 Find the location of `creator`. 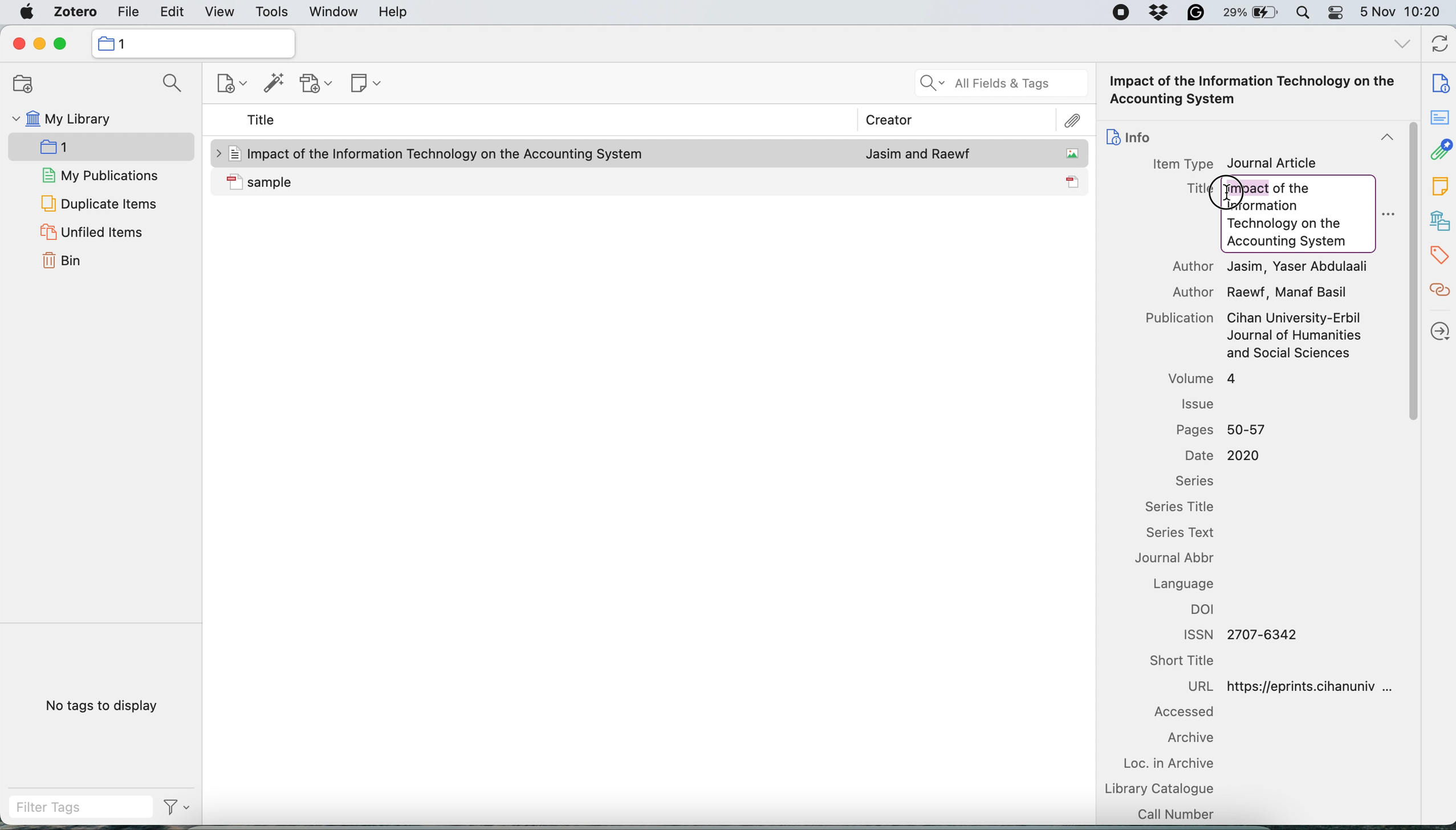

creator is located at coordinates (889, 119).